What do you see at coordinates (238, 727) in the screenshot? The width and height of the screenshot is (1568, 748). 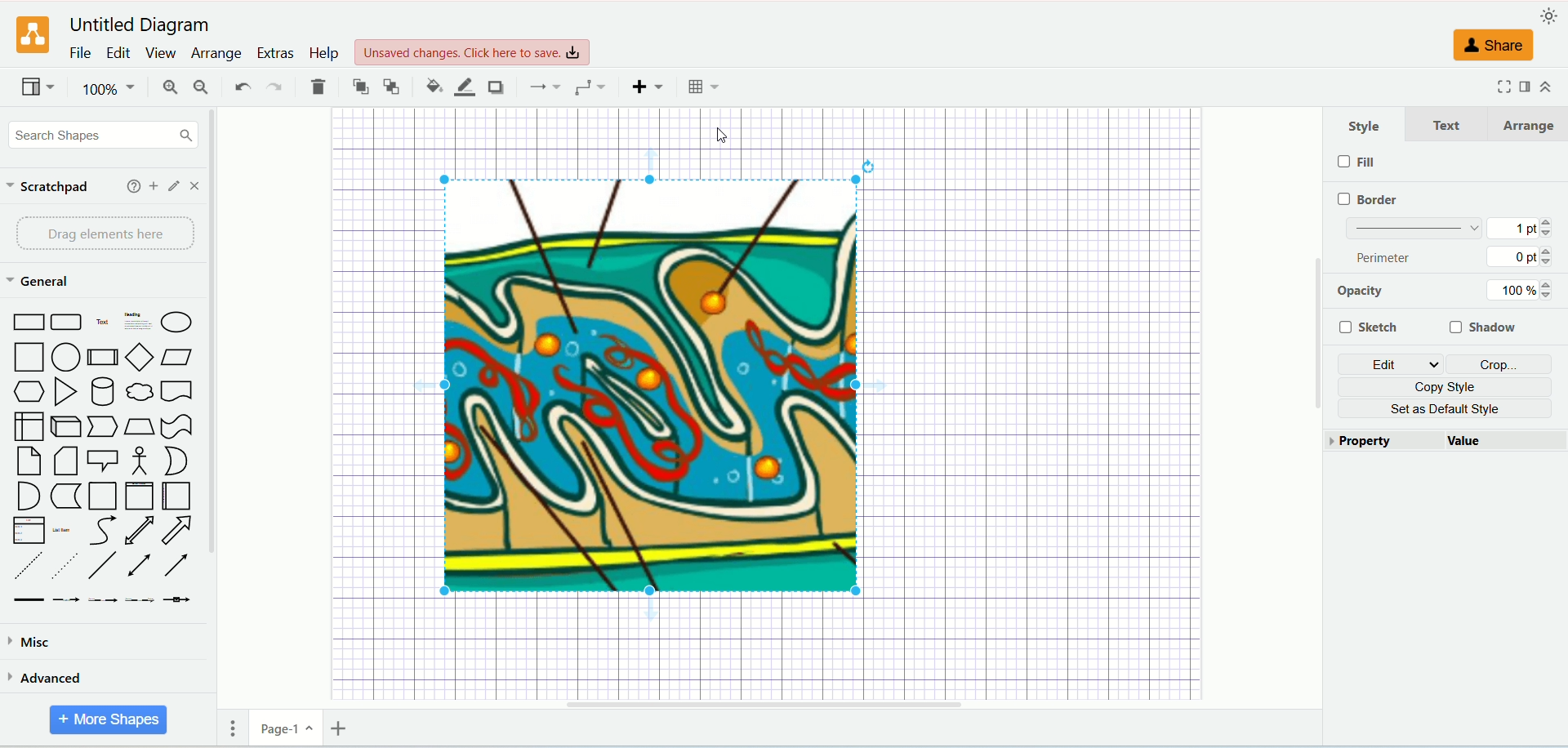 I see `pages` at bounding box center [238, 727].